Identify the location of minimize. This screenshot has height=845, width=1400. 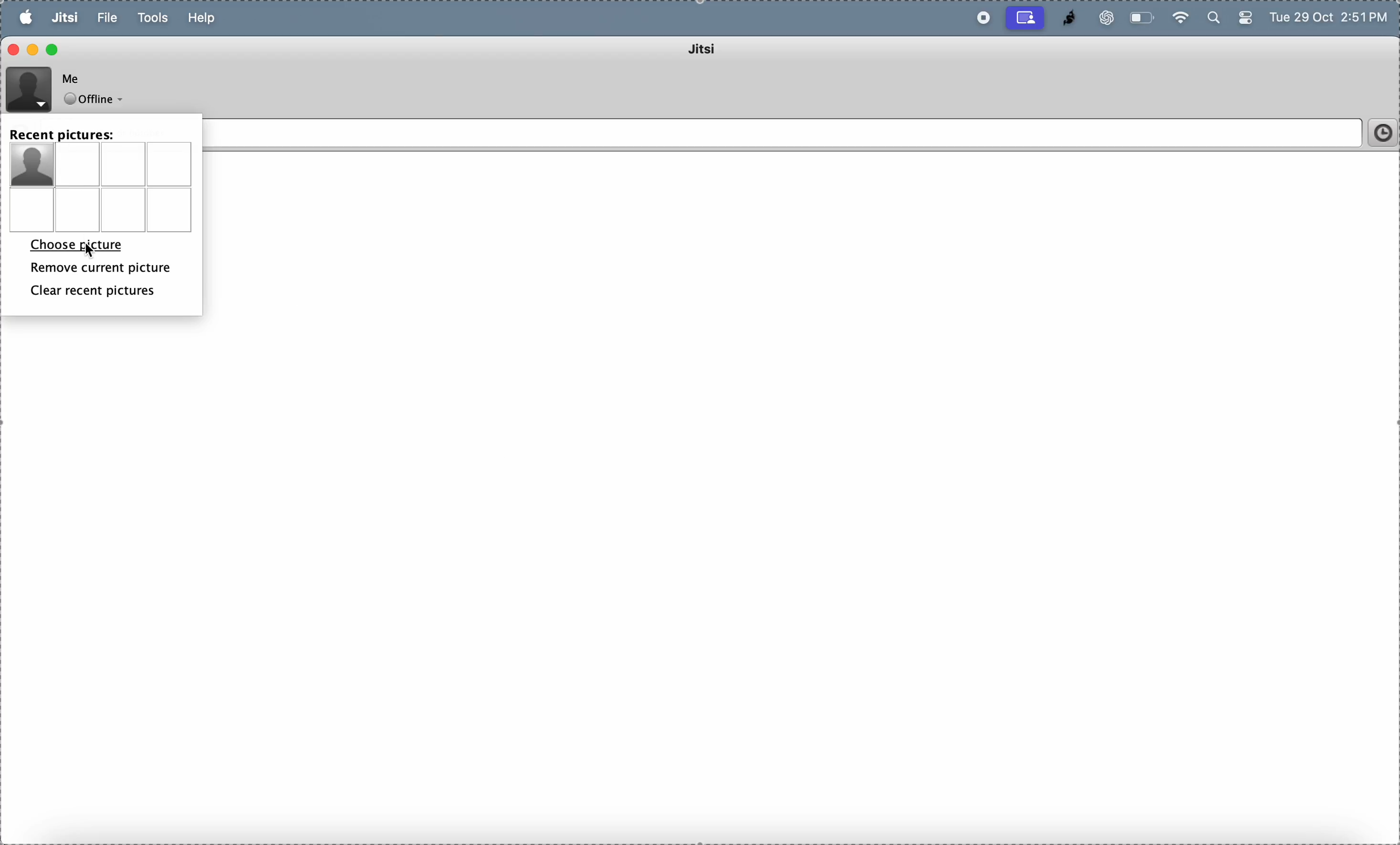
(35, 49).